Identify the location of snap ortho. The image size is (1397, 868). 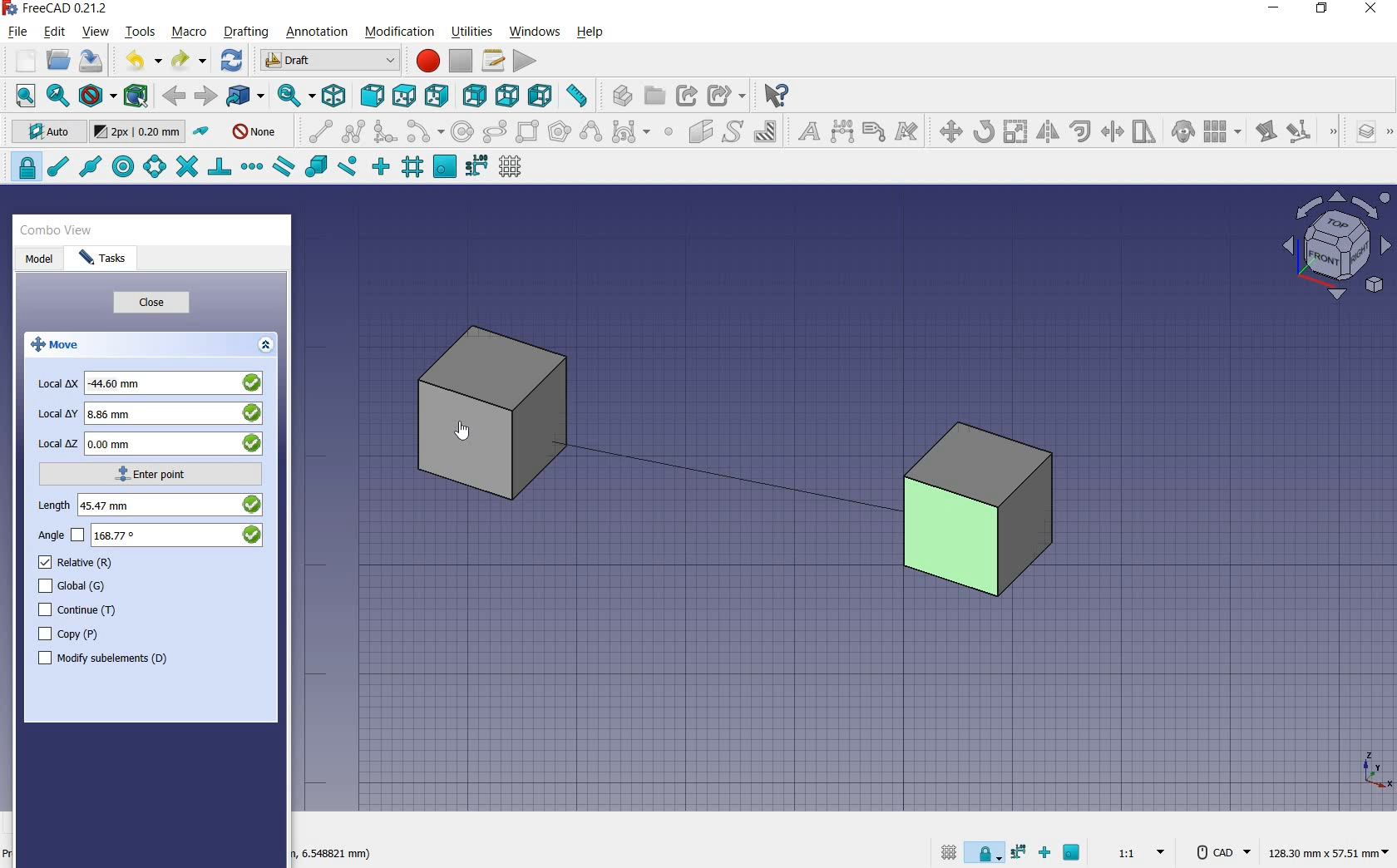
(1045, 854).